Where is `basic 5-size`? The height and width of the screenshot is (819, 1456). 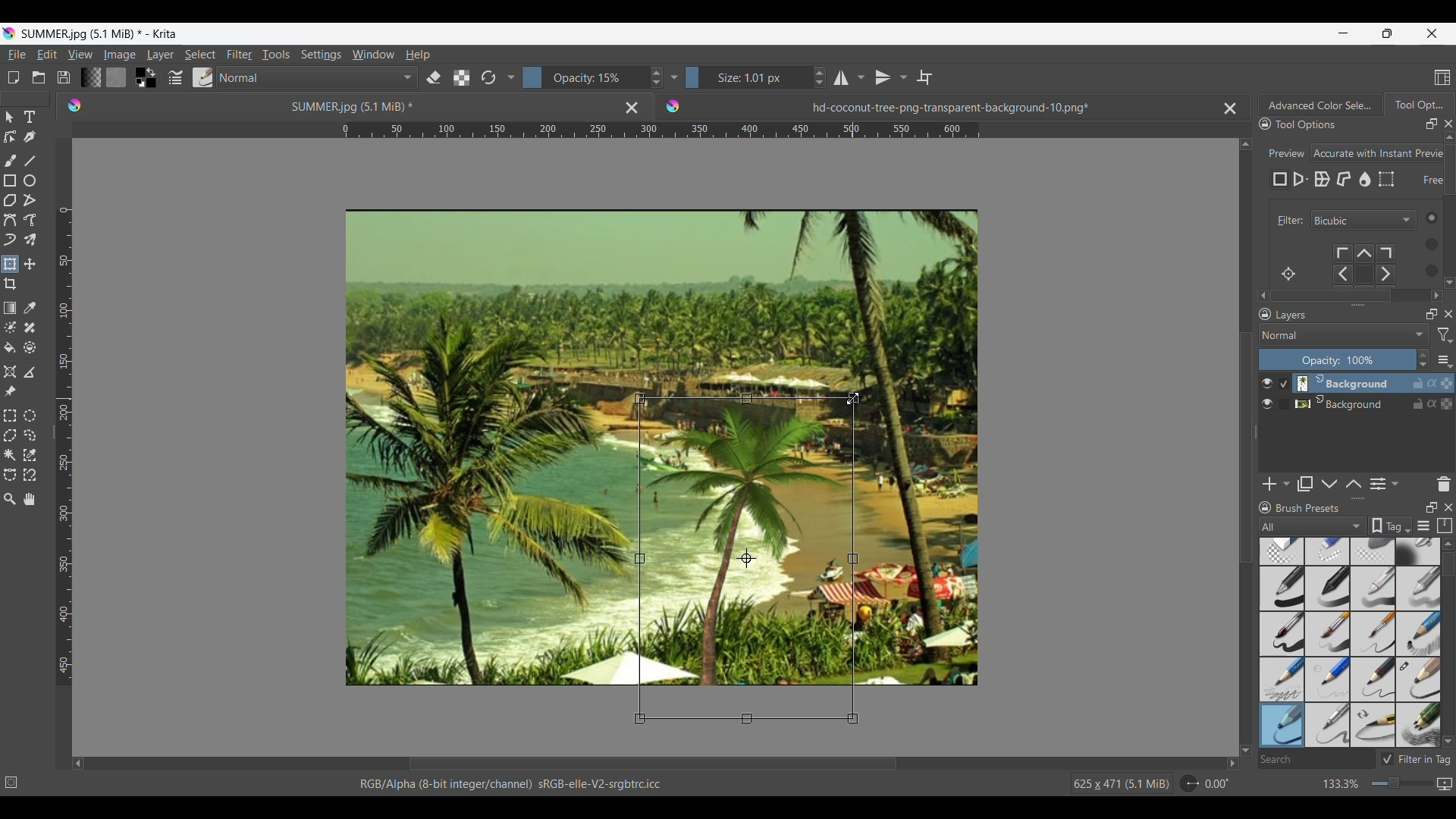
basic 5-size is located at coordinates (1283, 634).